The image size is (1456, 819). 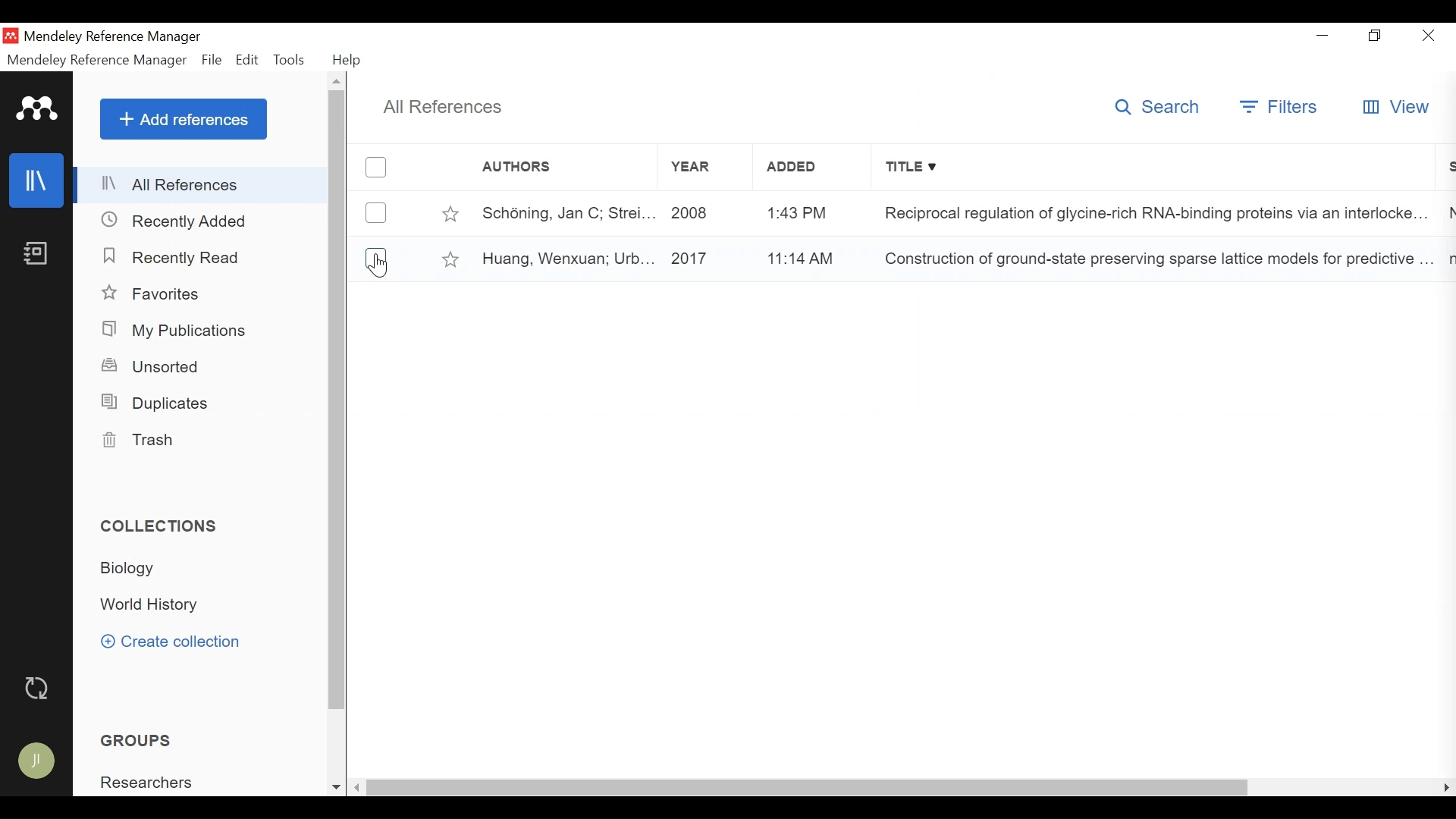 What do you see at coordinates (1158, 108) in the screenshot?
I see `Search` at bounding box center [1158, 108].